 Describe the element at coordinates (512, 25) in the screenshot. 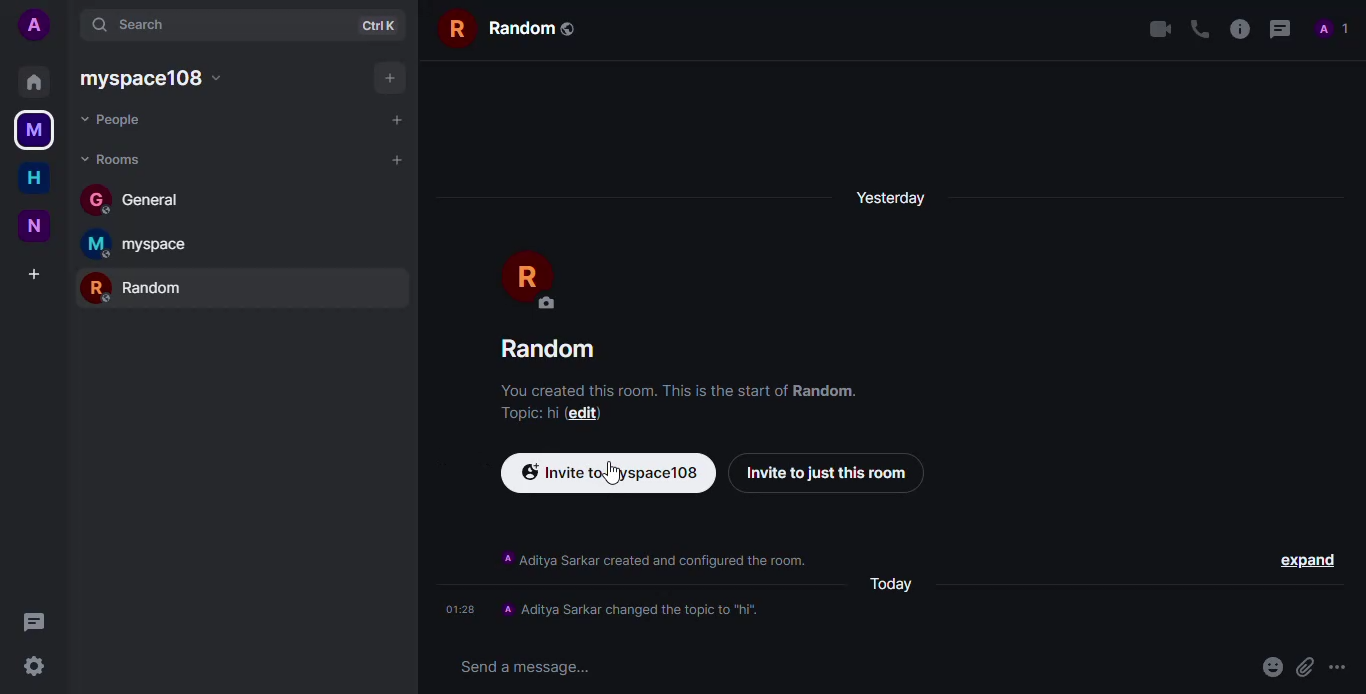

I see `random` at that location.